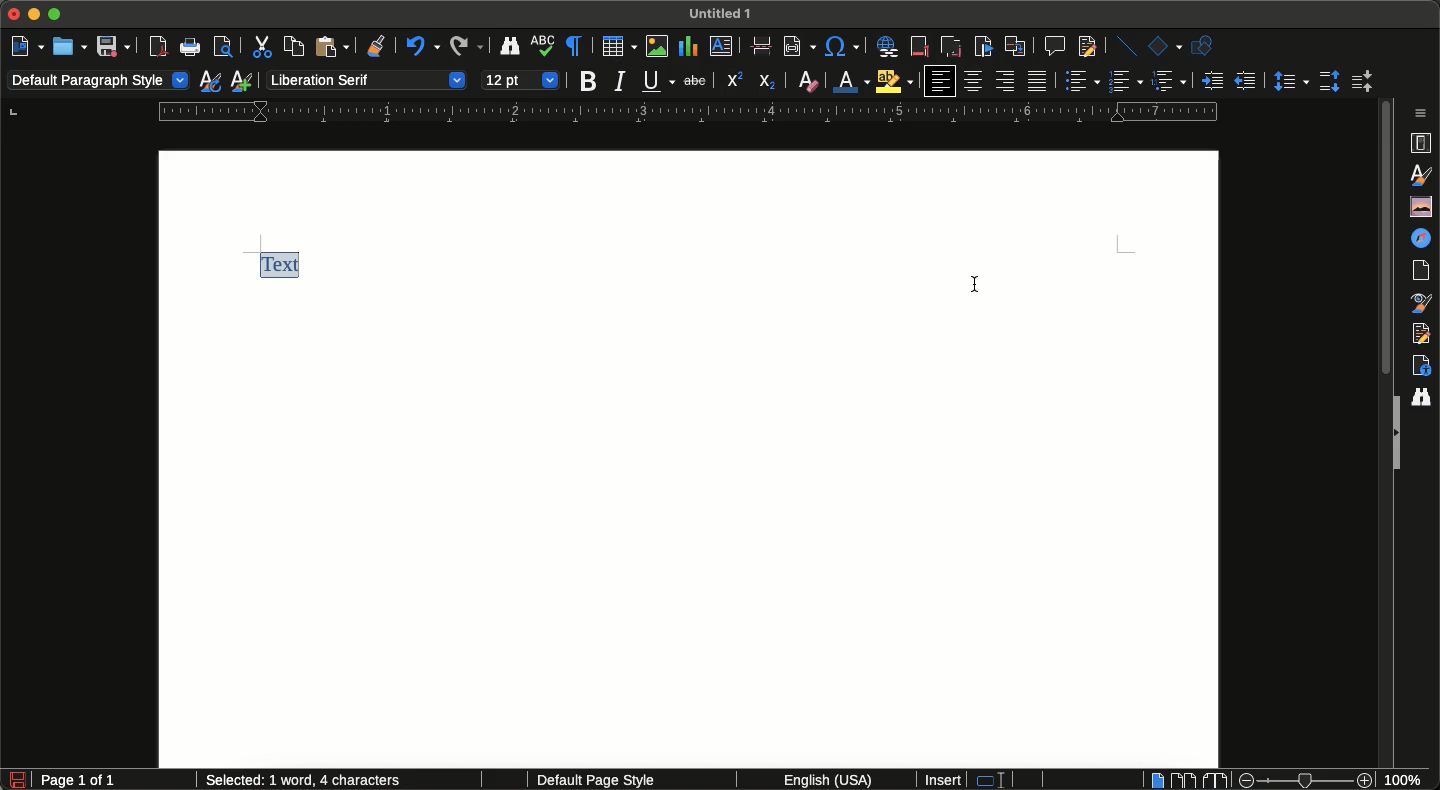  What do you see at coordinates (159, 47) in the screenshot?
I see `Export directly as PDF` at bounding box center [159, 47].